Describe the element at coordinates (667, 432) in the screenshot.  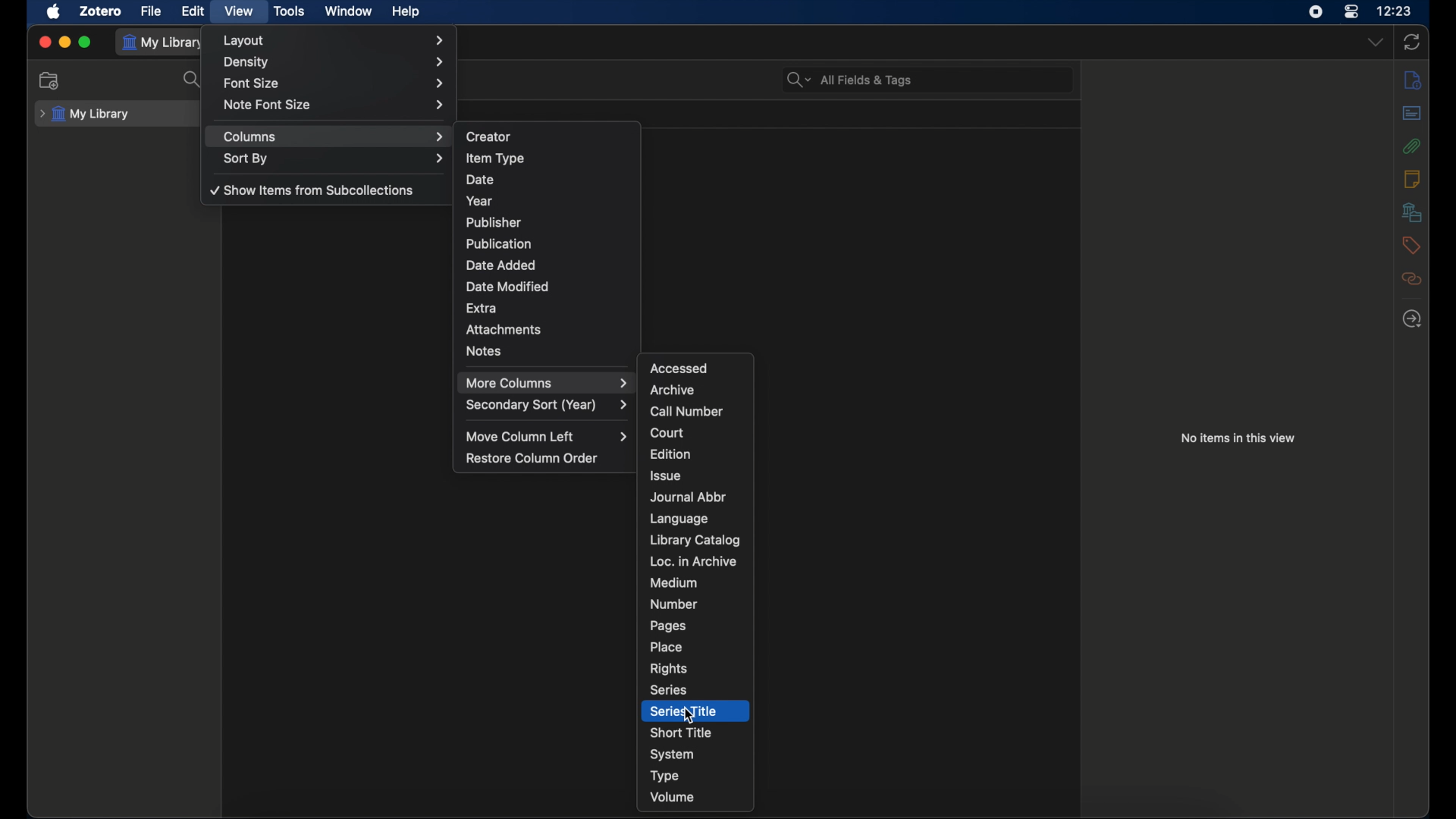
I see `court` at that location.